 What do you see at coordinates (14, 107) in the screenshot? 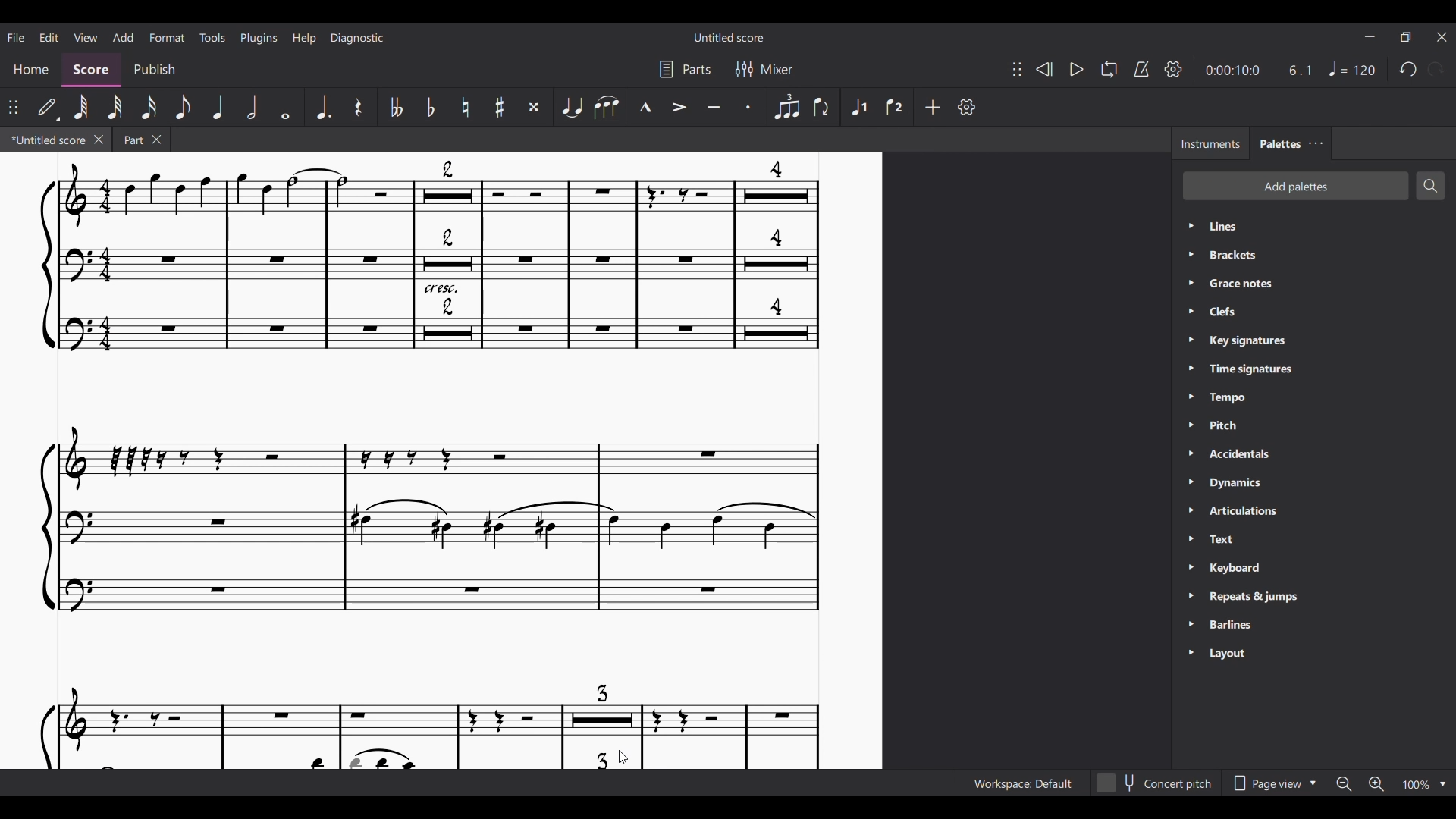
I see `Change position of toolbar attached ` at bounding box center [14, 107].